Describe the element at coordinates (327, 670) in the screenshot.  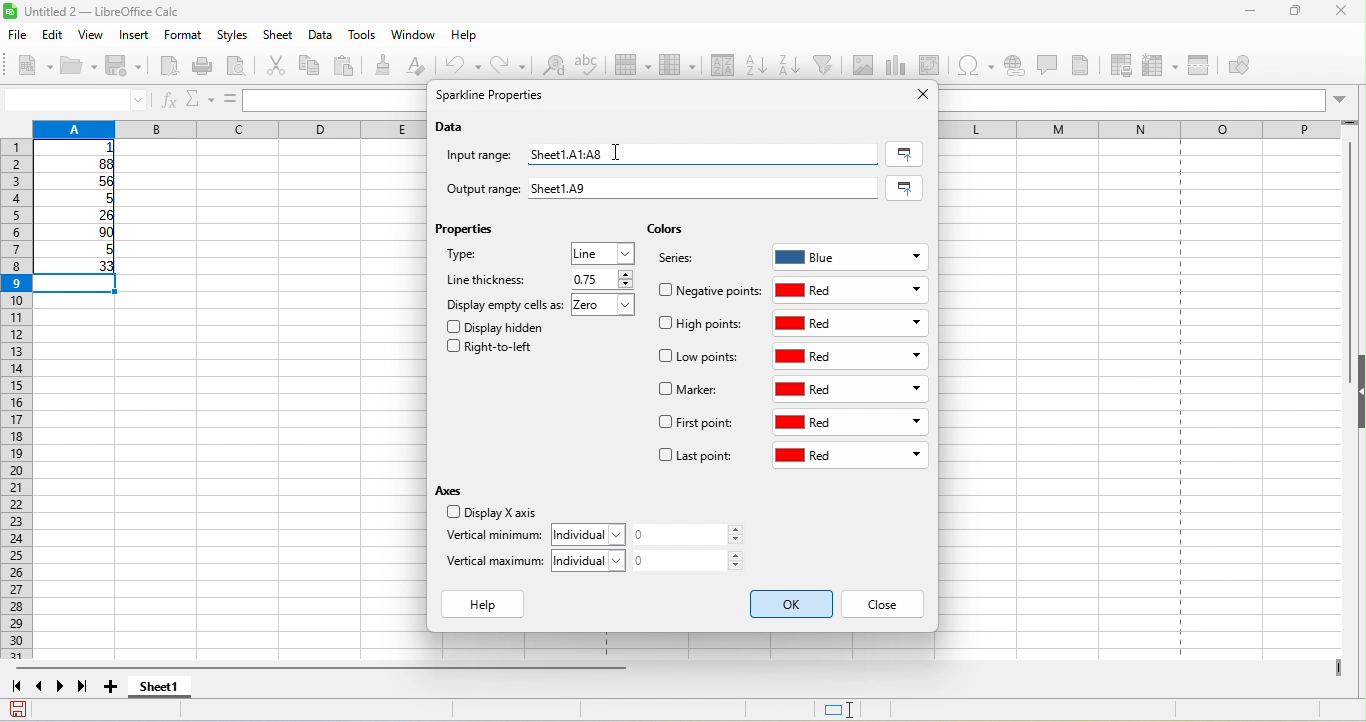
I see `horizontal scroll bar` at that location.